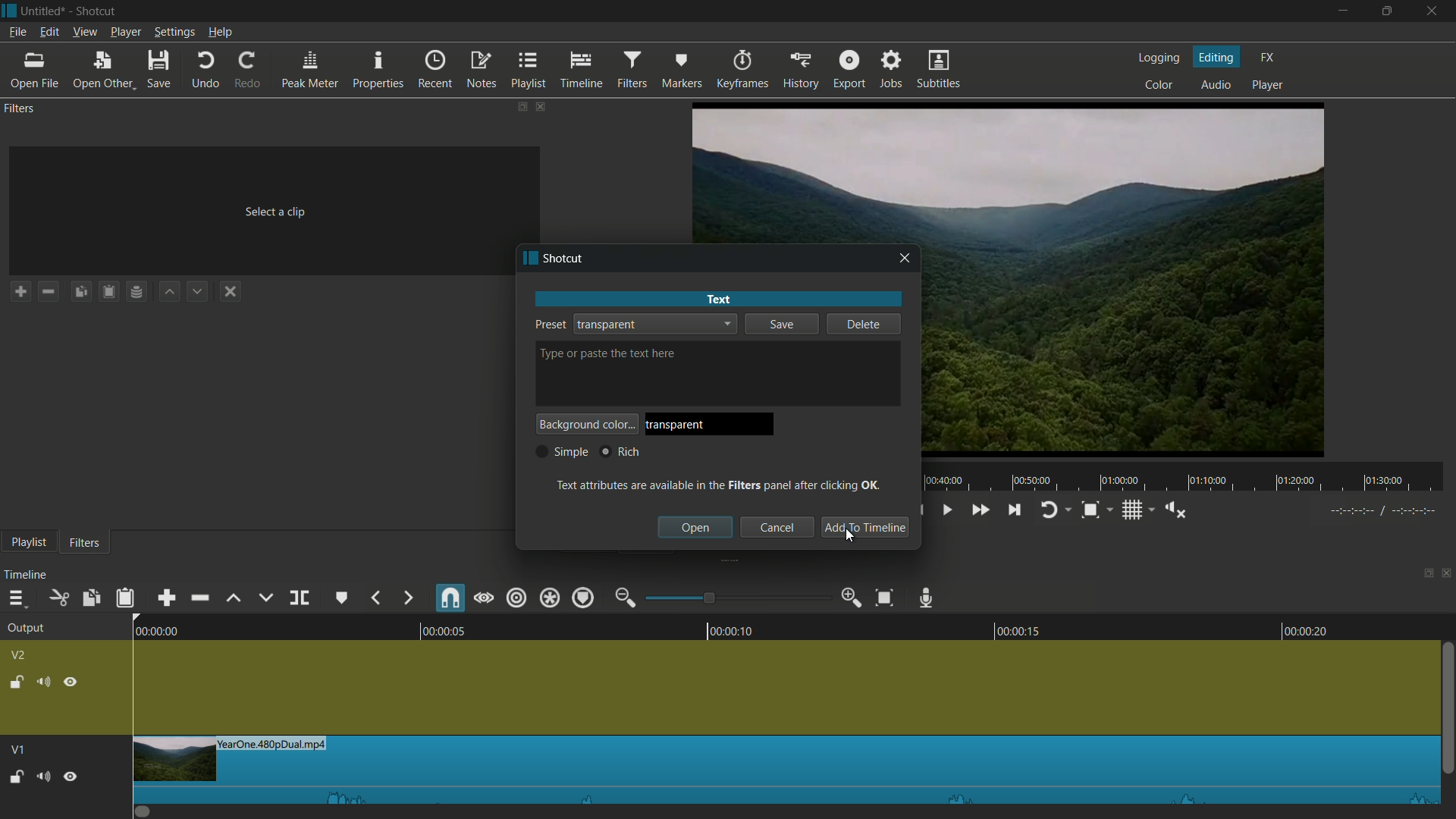 Image resolution: width=1456 pixels, height=819 pixels. I want to click on zoom out, so click(624, 598).